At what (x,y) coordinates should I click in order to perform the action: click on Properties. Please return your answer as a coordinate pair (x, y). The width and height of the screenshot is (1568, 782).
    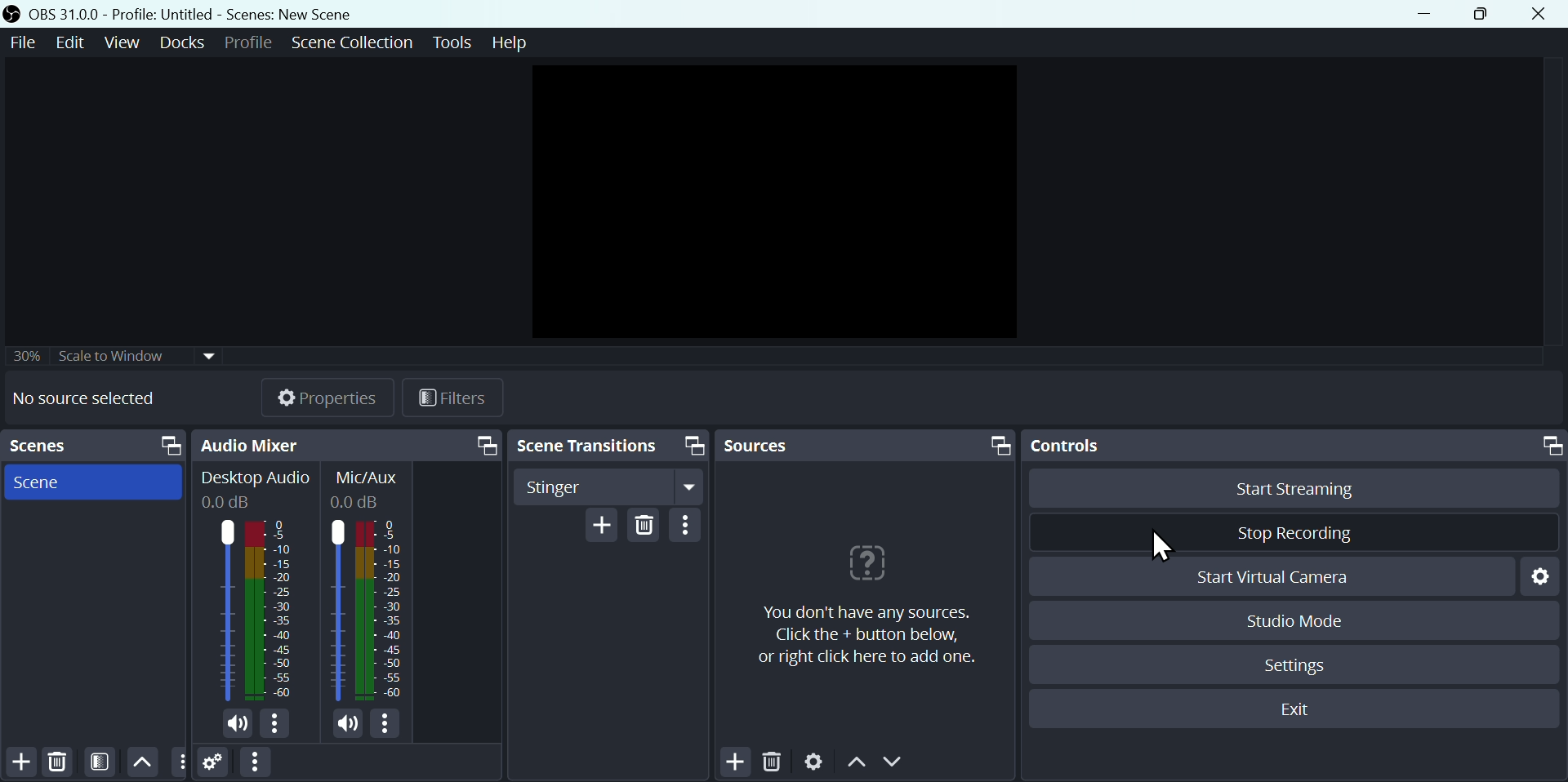
    Looking at the image, I should click on (327, 395).